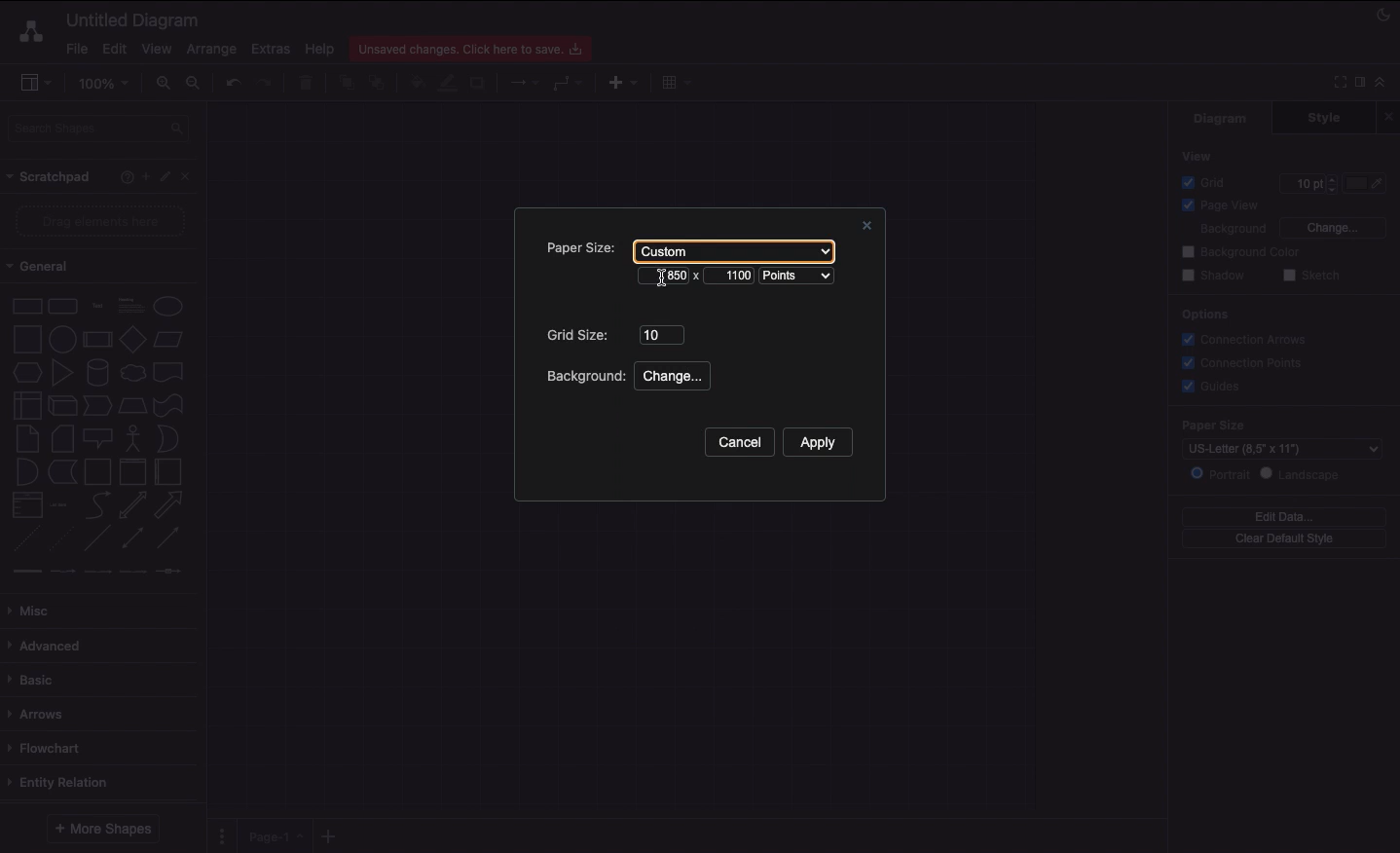  I want to click on Search shapes, so click(100, 131).